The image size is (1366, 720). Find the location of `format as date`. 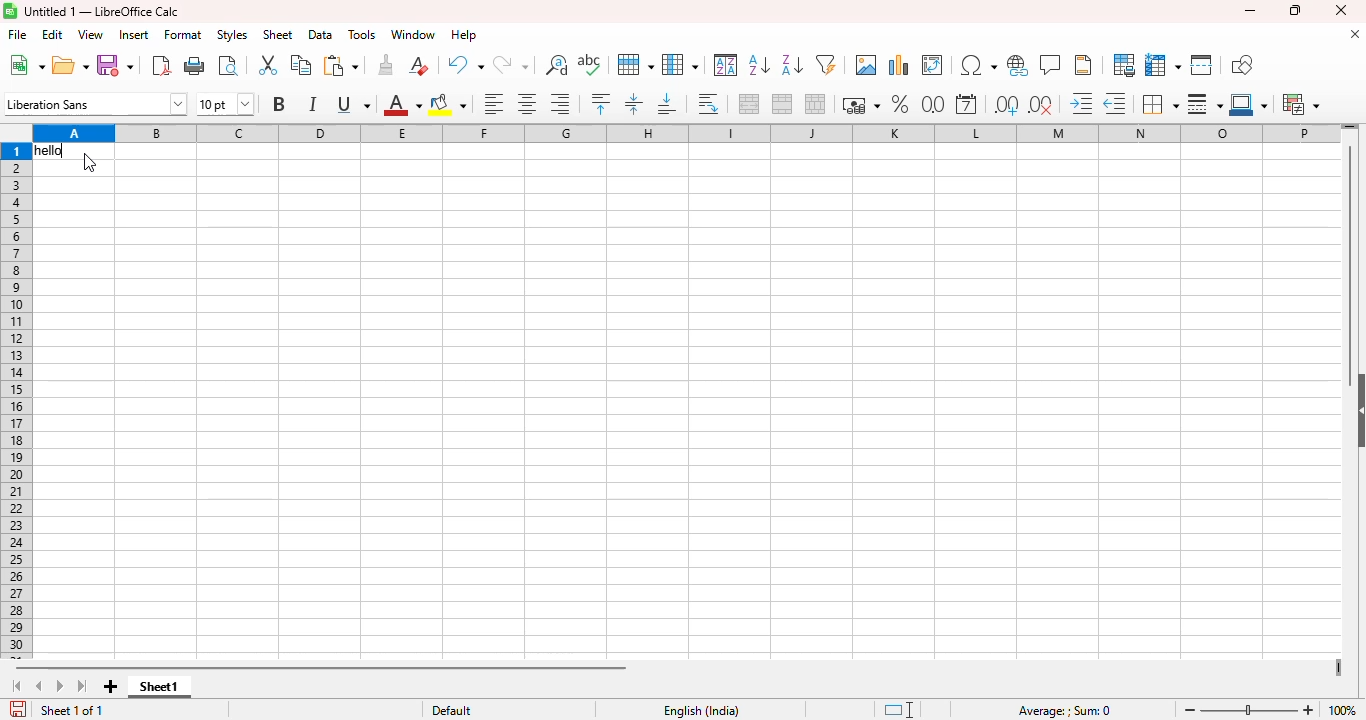

format as date is located at coordinates (966, 104).